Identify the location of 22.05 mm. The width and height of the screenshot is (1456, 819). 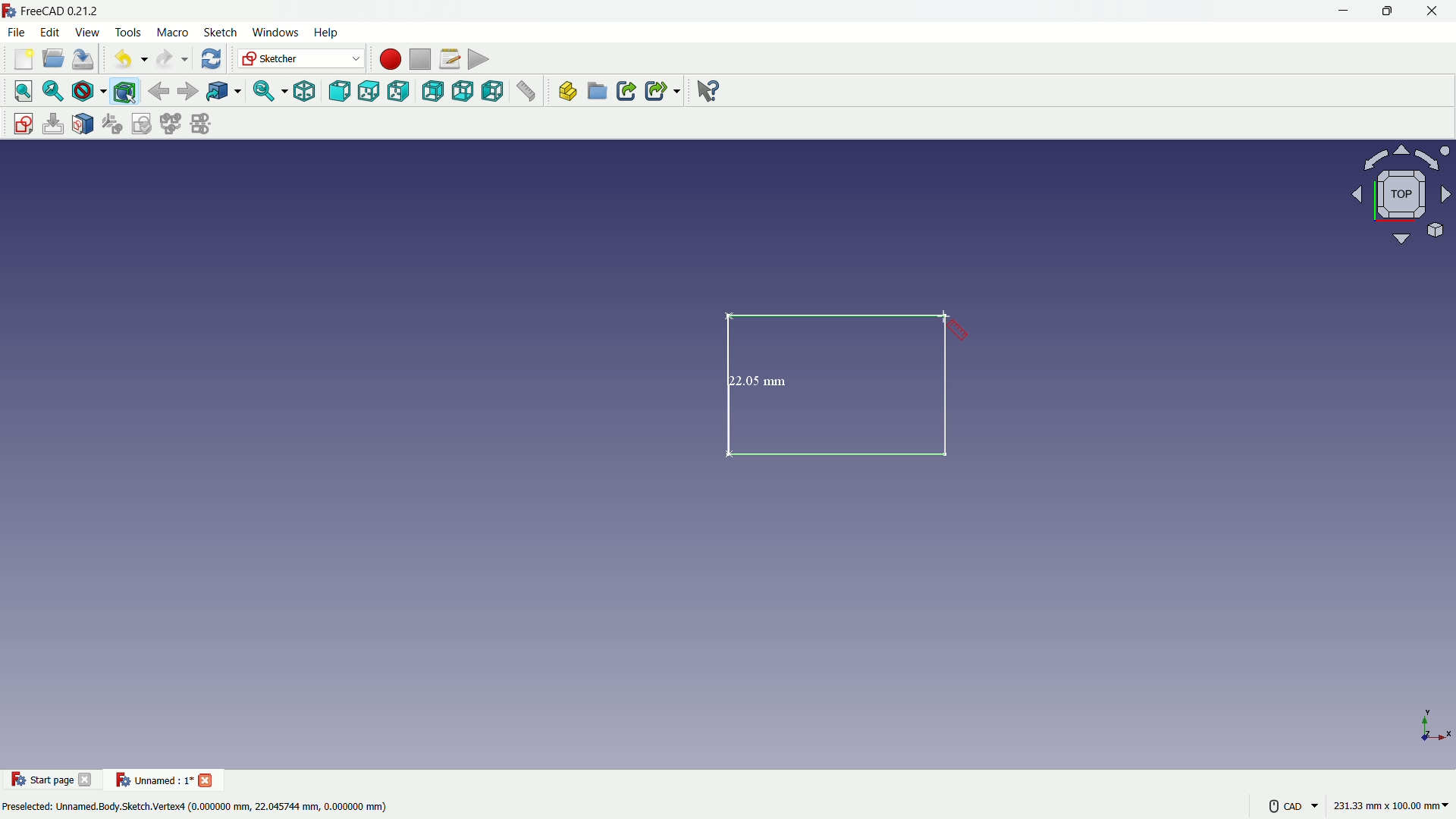
(761, 382).